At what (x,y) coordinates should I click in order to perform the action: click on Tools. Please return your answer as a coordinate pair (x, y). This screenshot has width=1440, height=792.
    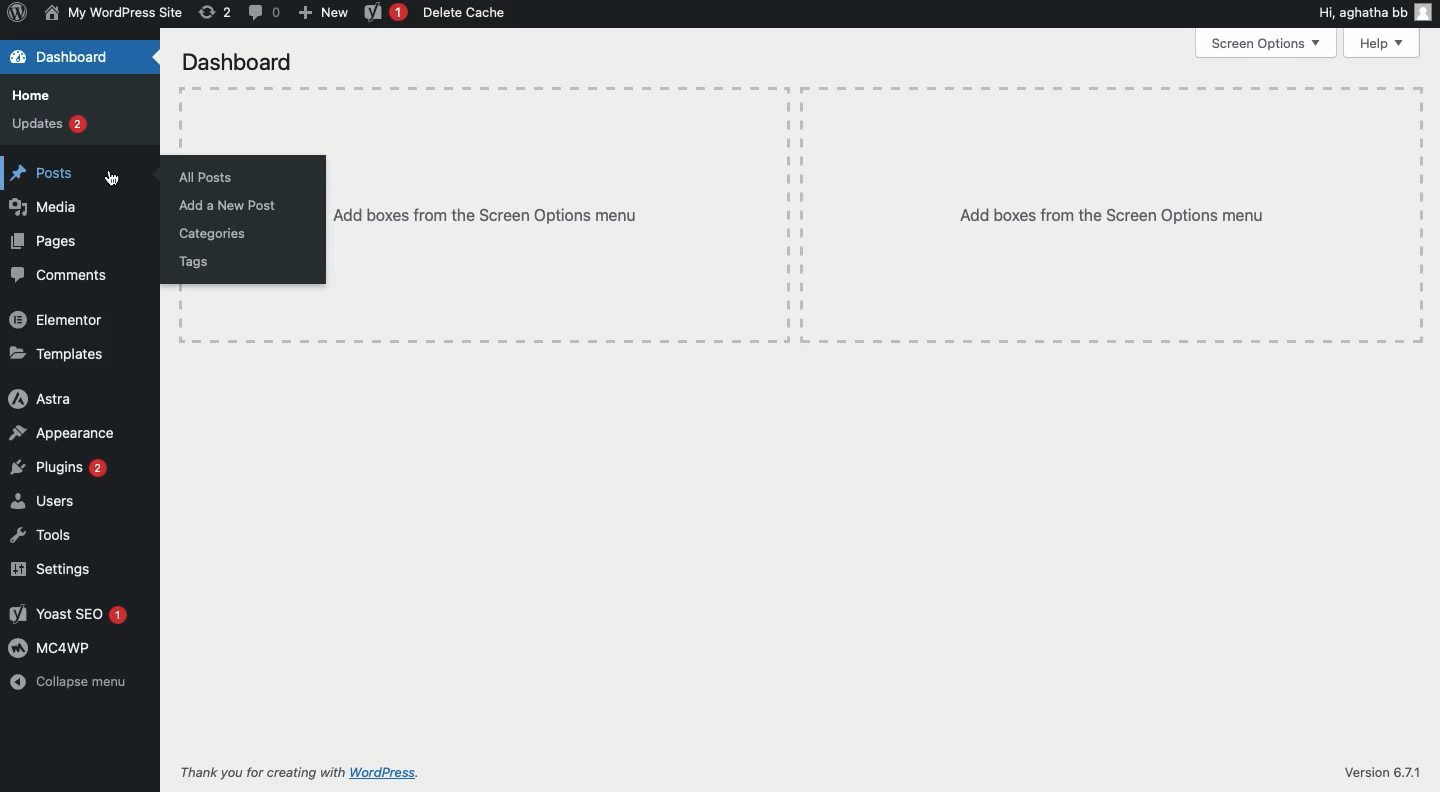
    Looking at the image, I should click on (40, 535).